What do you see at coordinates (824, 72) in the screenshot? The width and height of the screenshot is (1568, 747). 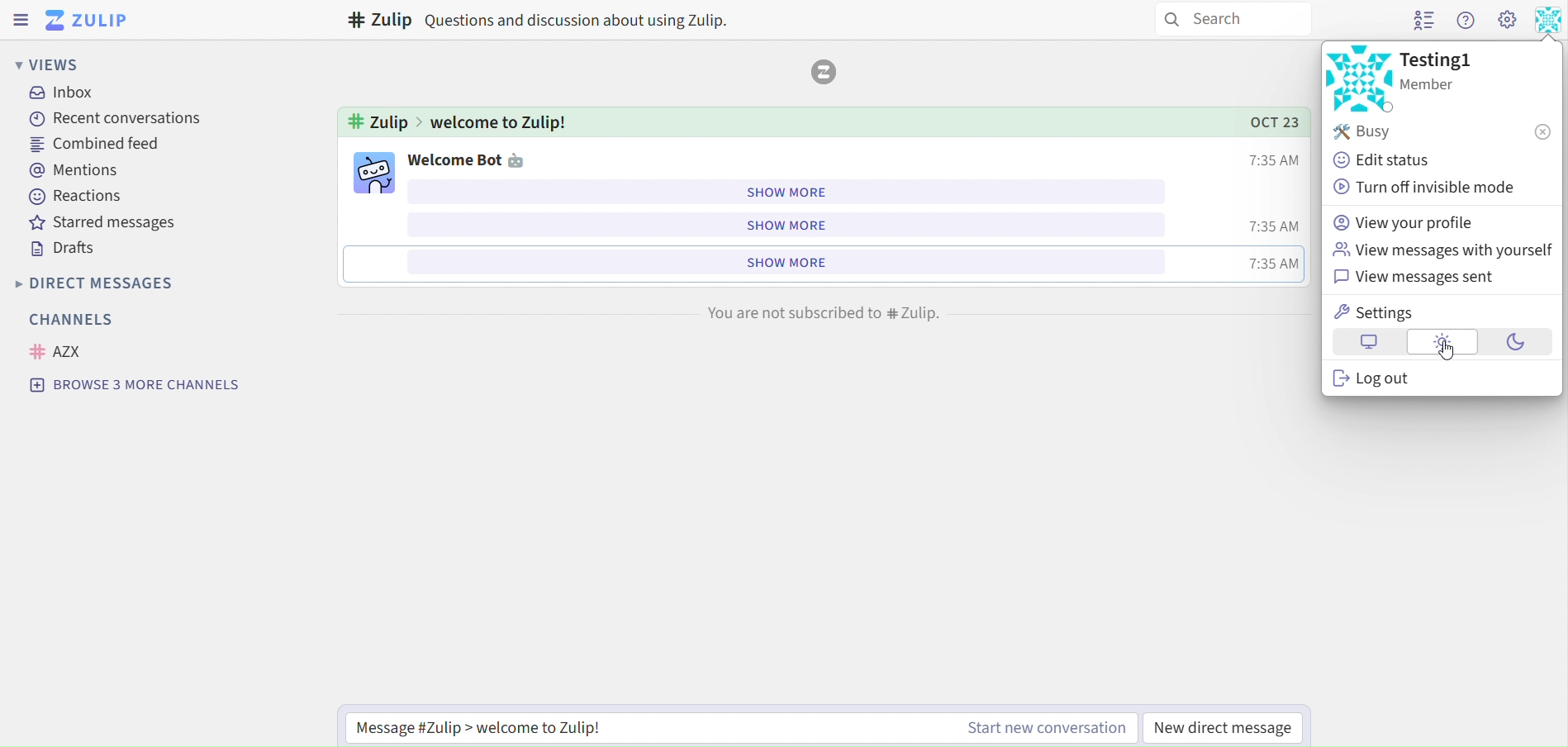 I see `image` at bounding box center [824, 72].